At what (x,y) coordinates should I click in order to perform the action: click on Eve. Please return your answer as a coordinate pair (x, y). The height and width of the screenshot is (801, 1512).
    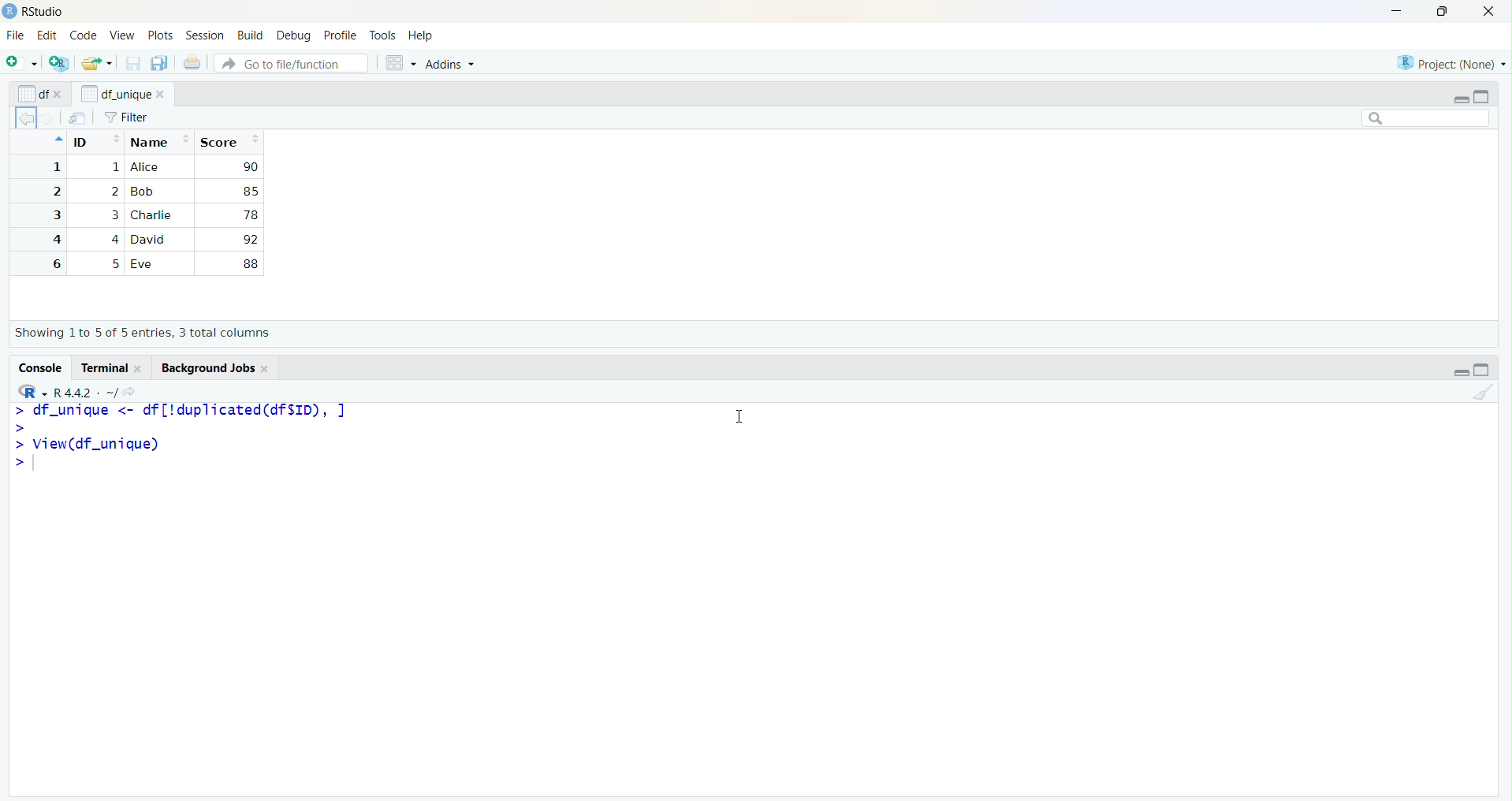
    Looking at the image, I should click on (145, 289).